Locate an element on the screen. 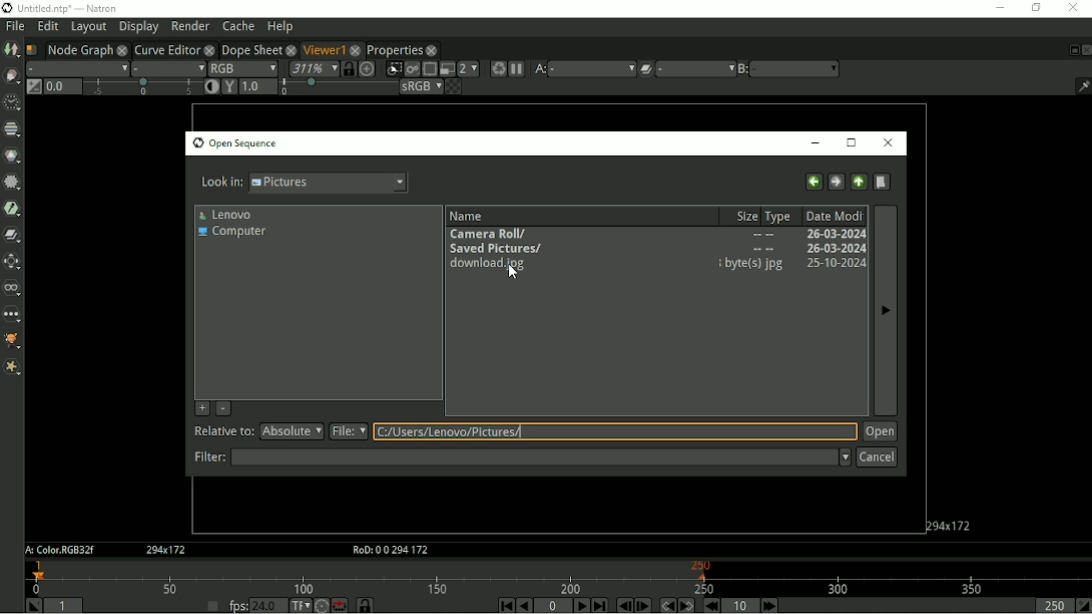  Next Increment is located at coordinates (769, 605).